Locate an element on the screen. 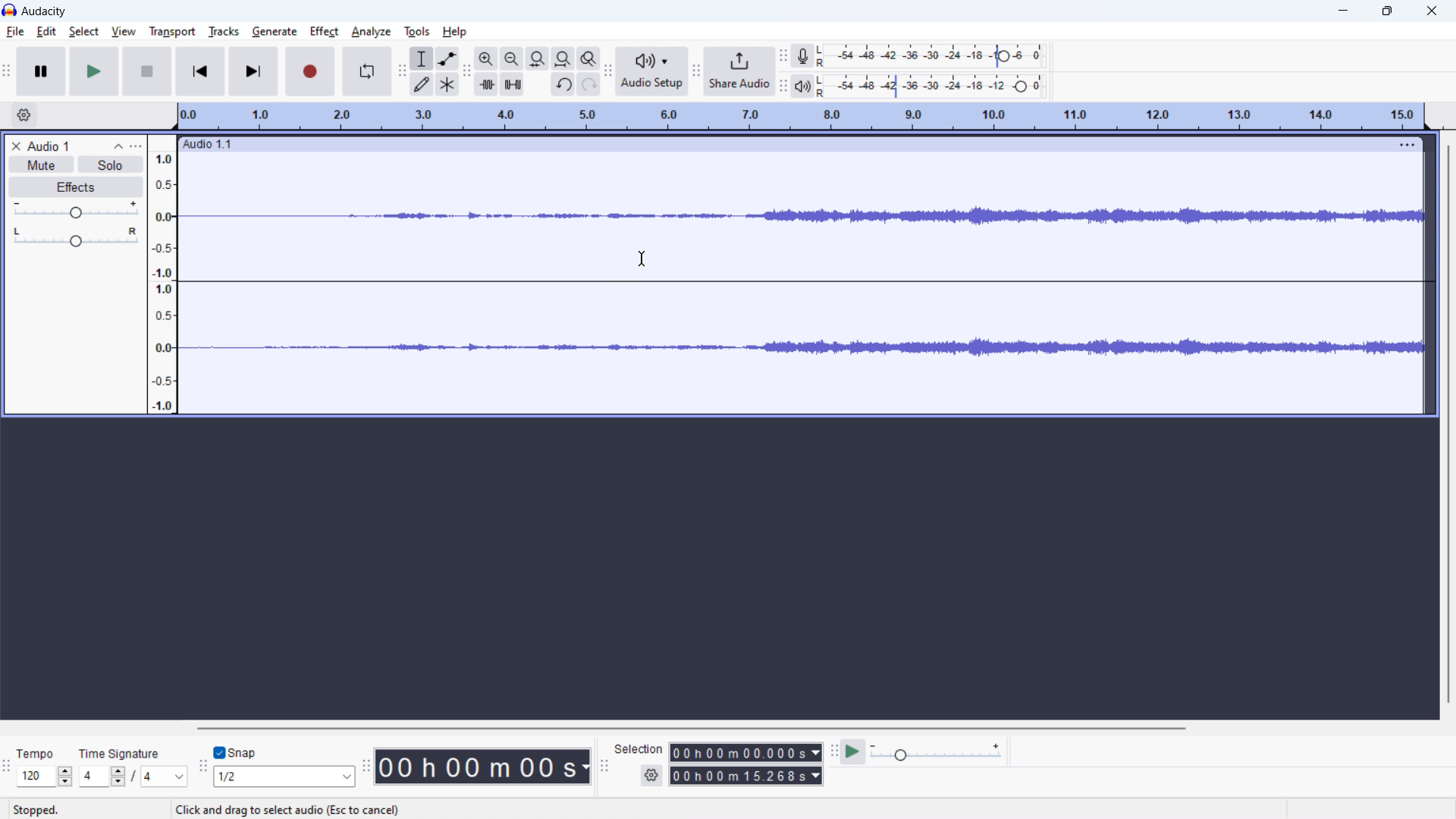 The image size is (1456, 819). Selection is located at coordinates (639, 747).